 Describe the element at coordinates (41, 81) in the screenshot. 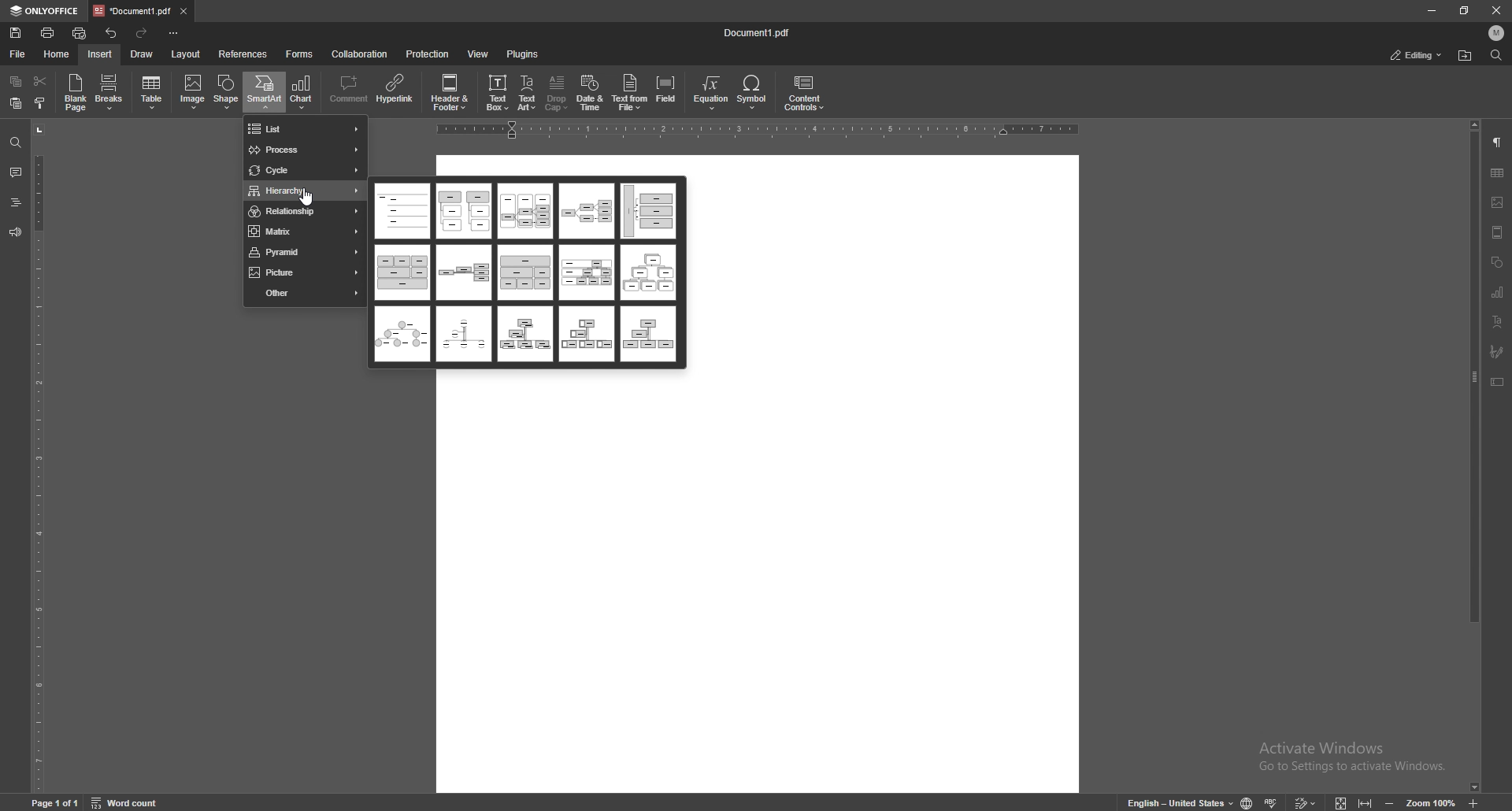

I see `cut` at that location.